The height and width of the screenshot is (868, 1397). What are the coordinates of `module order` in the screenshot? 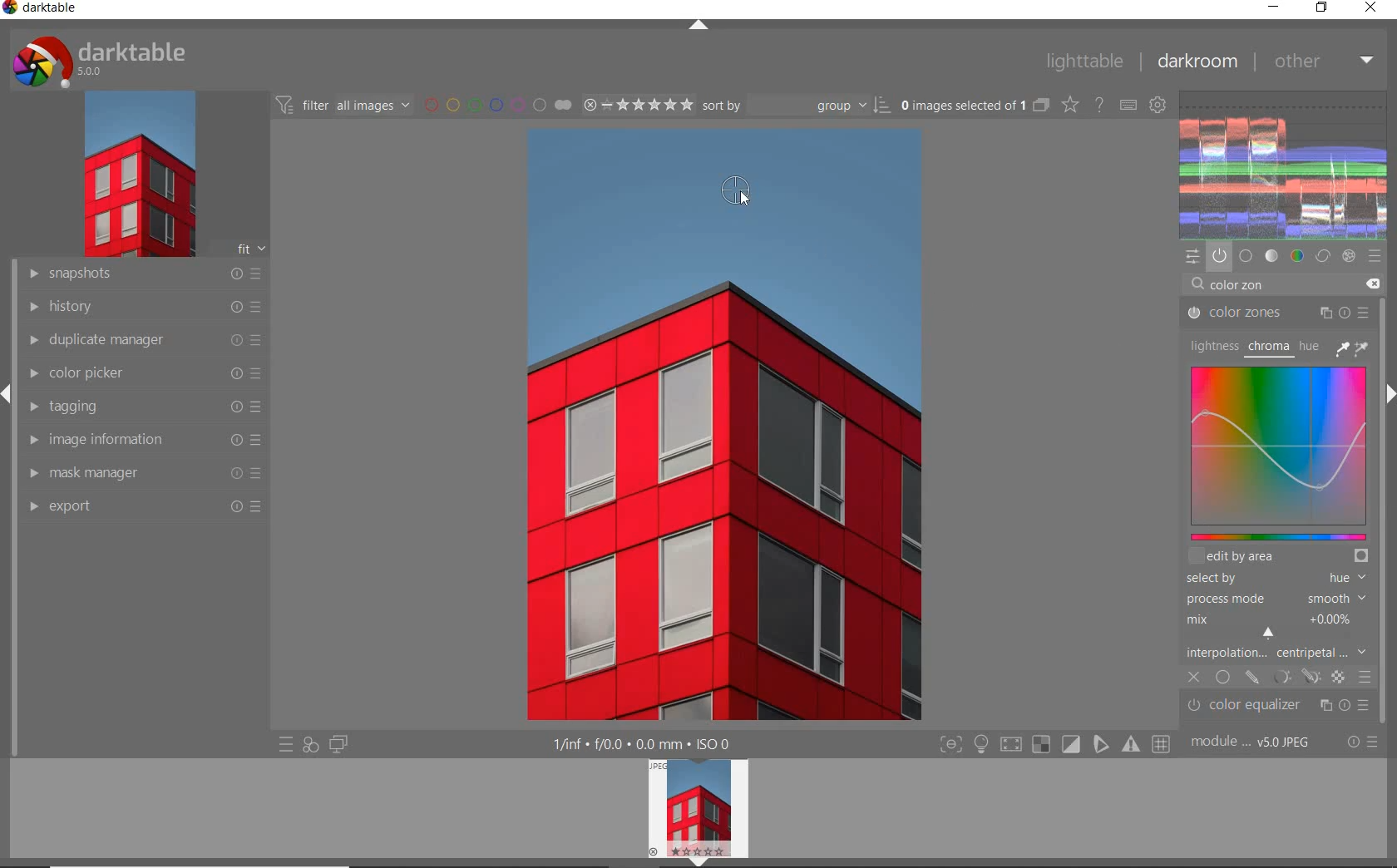 It's located at (1255, 743).